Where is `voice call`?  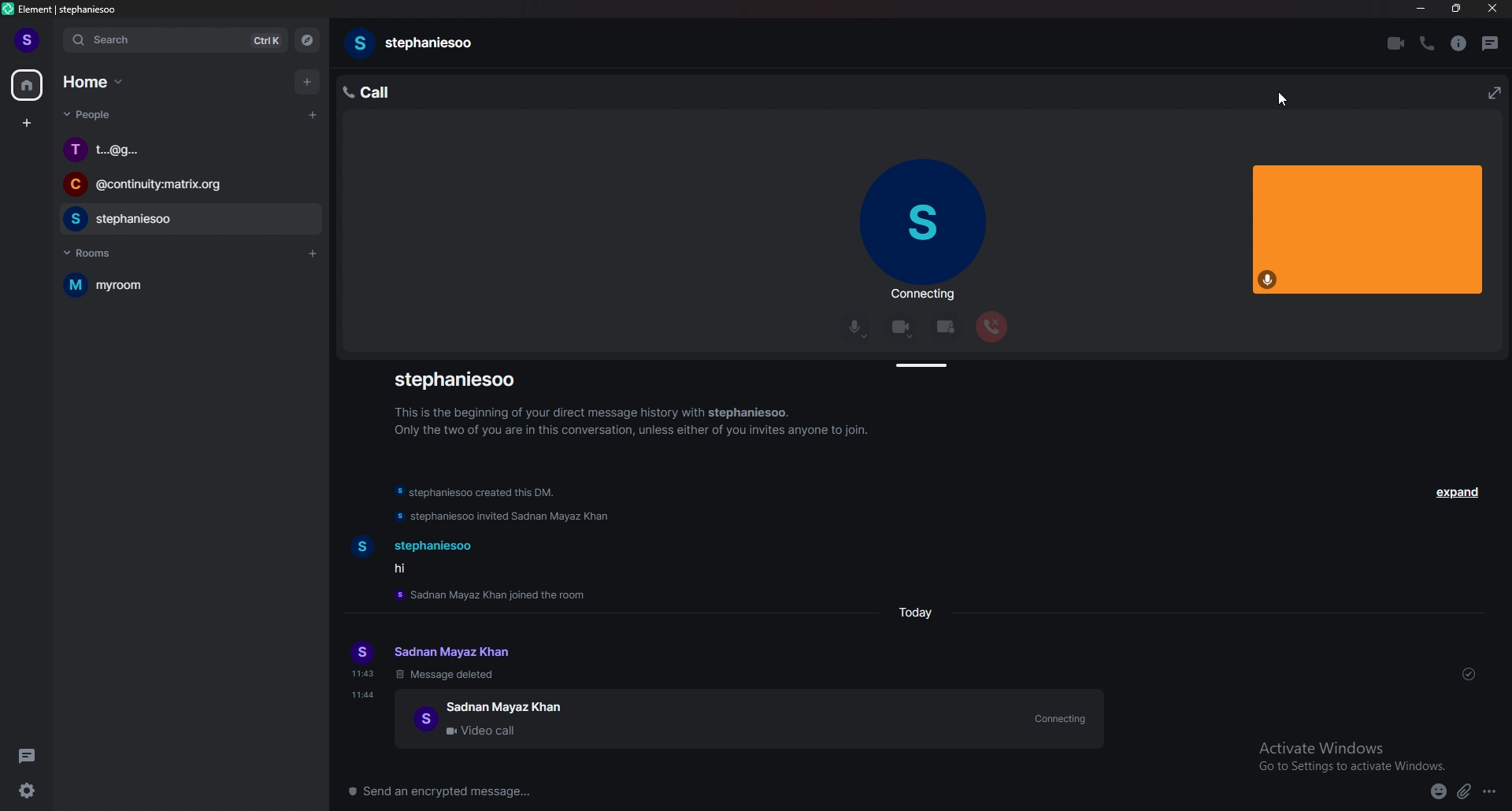
voice call is located at coordinates (1427, 43).